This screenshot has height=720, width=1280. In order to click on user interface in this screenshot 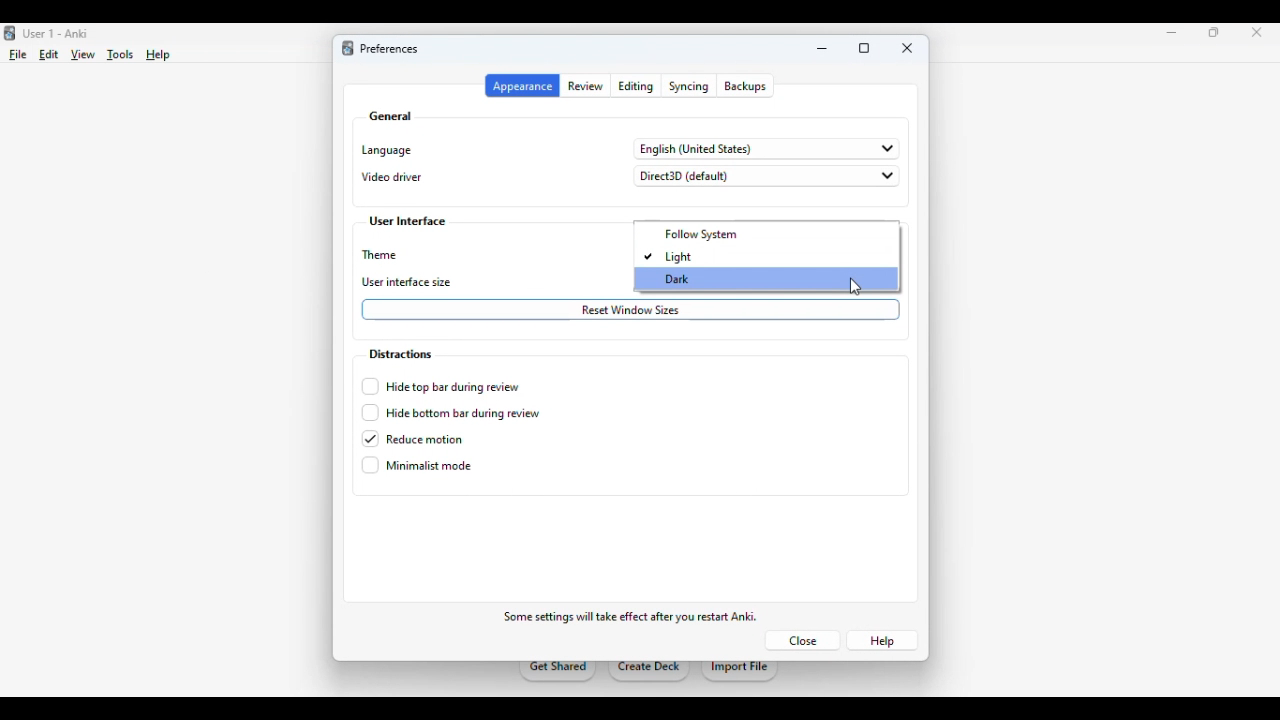, I will do `click(408, 222)`.